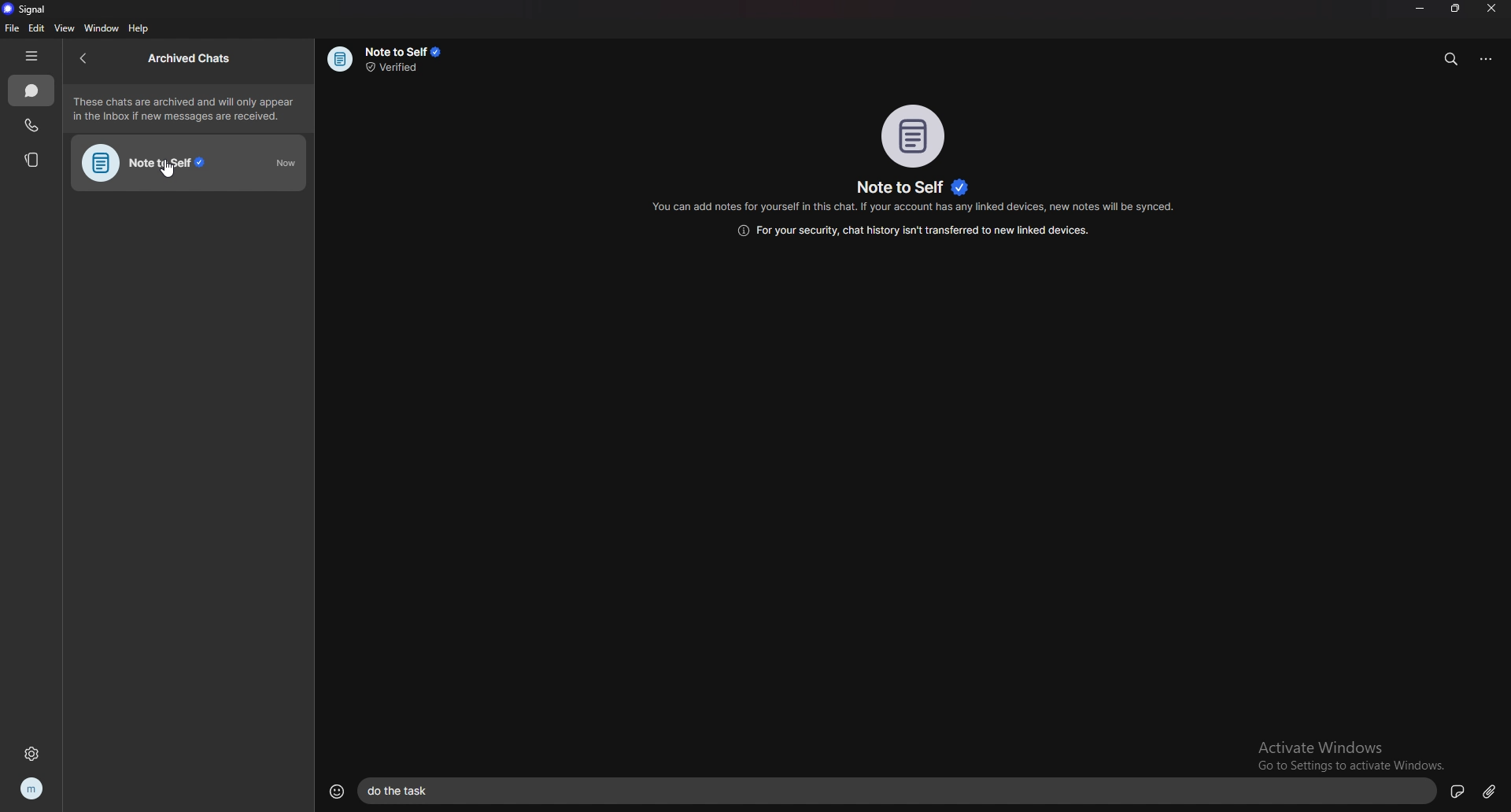 This screenshot has width=1511, height=812. I want to click on chats, so click(31, 90).